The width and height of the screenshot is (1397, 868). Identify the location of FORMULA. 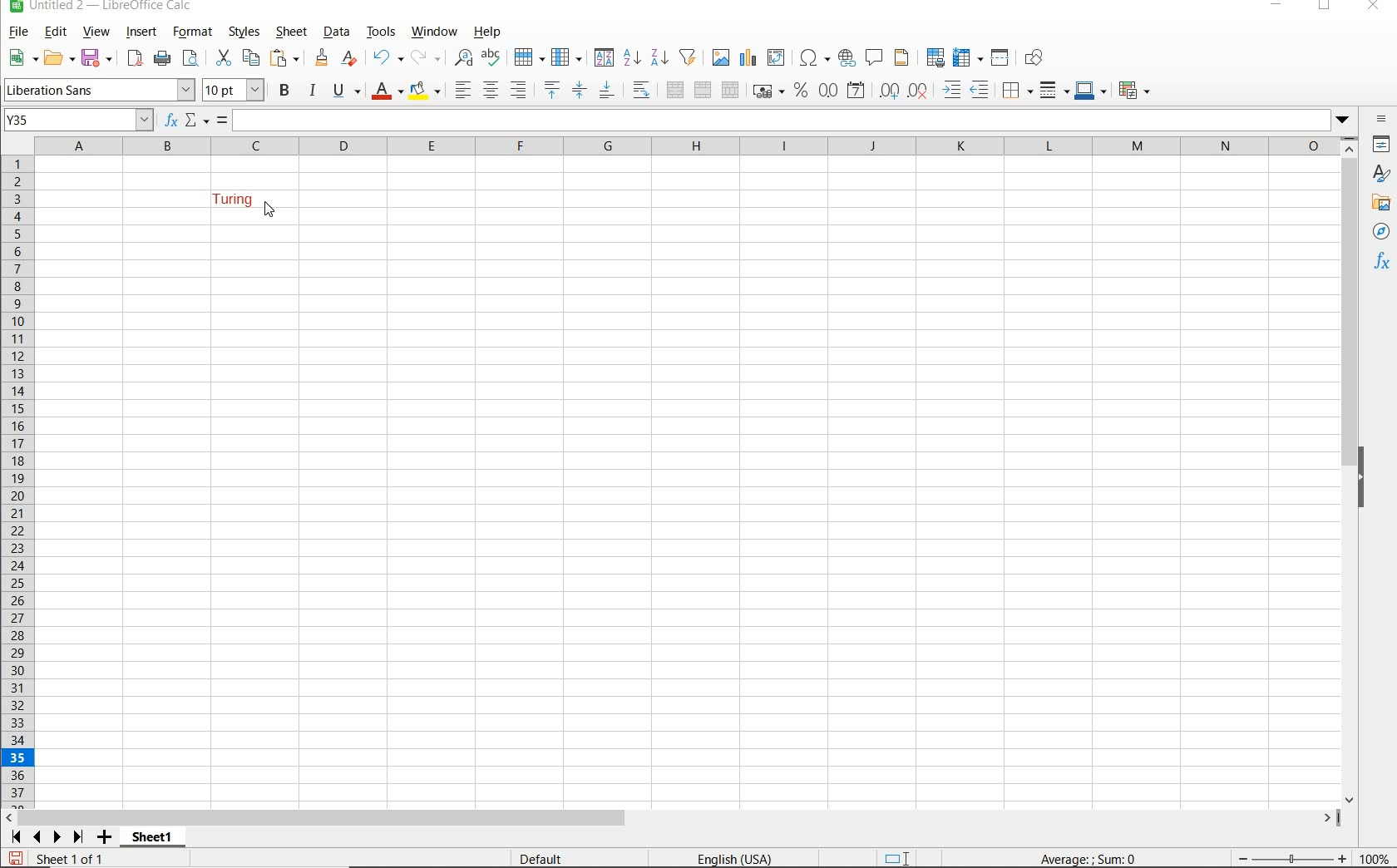
(223, 121).